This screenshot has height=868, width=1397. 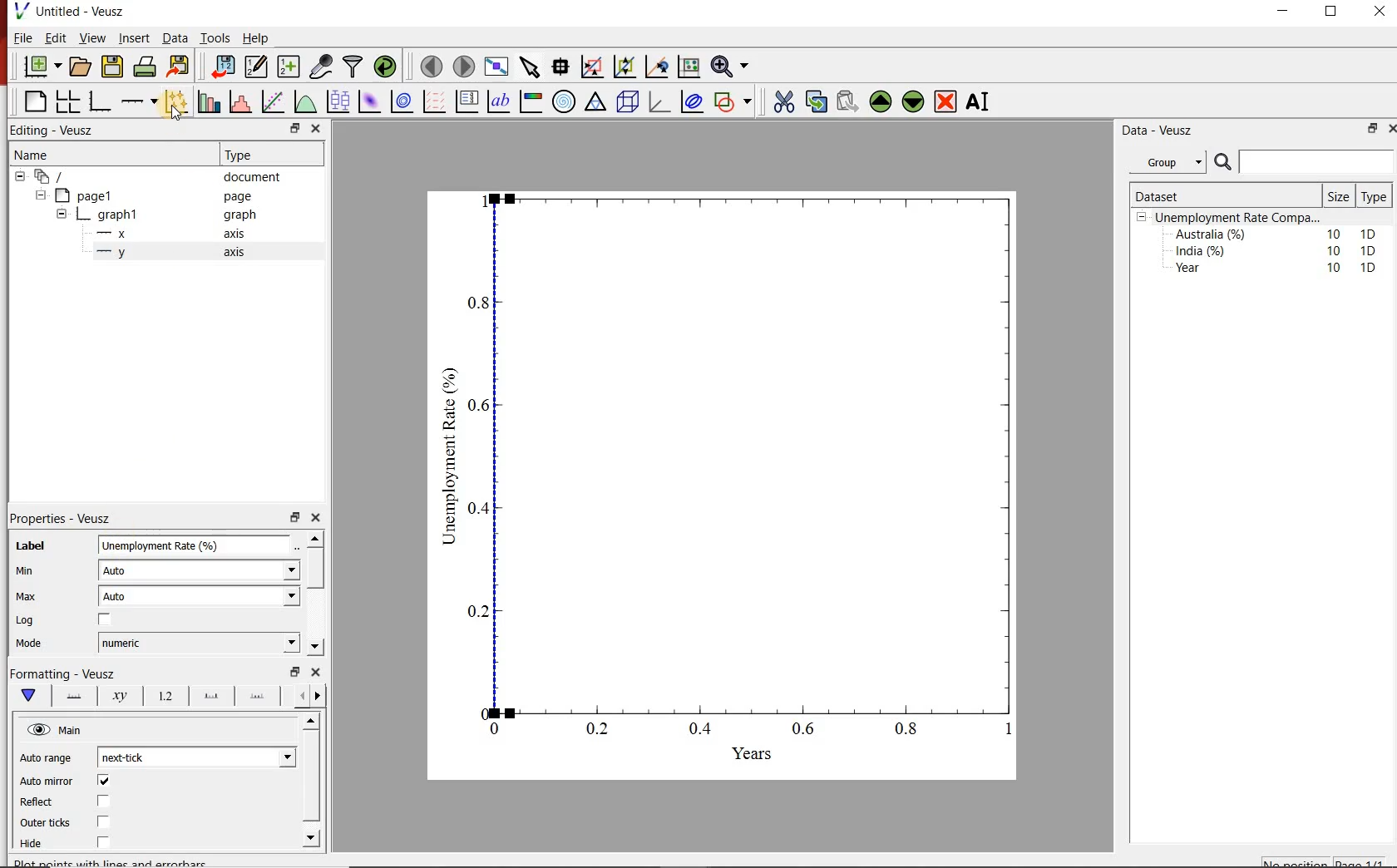 What do you see at coordinates (180, 65) in the screenshot?
I see `export document` at bounding box center [180, 65].